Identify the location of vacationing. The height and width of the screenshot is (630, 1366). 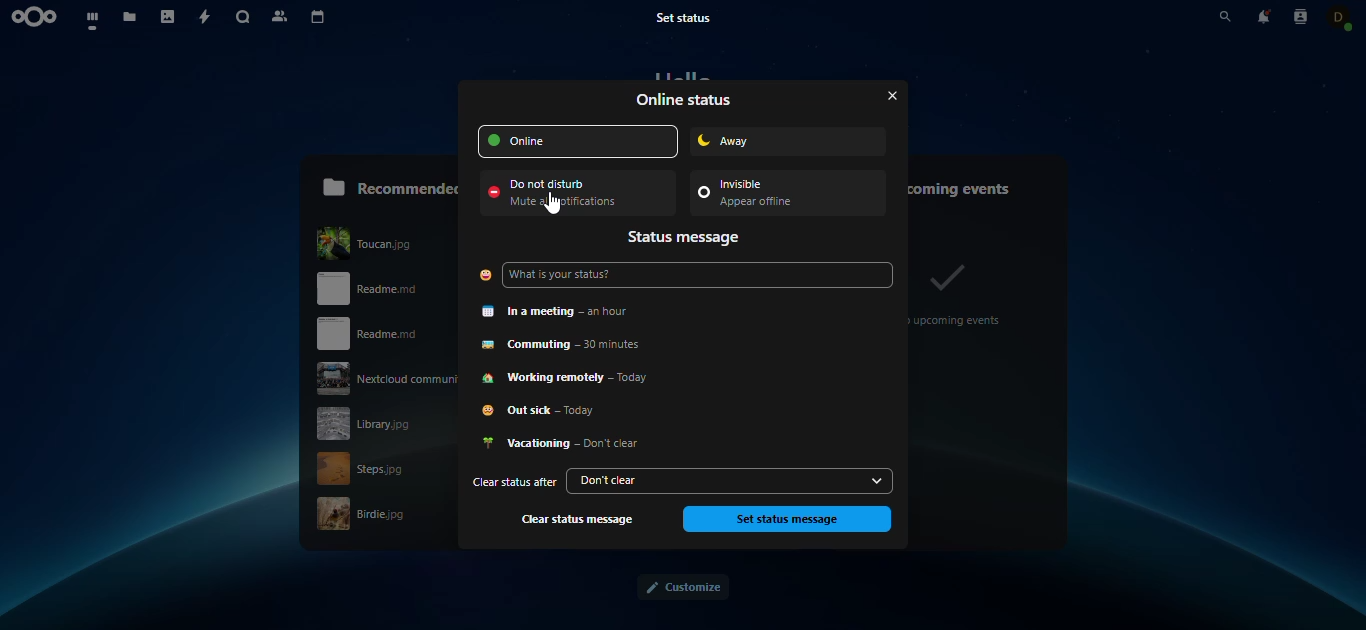
(564, 444).